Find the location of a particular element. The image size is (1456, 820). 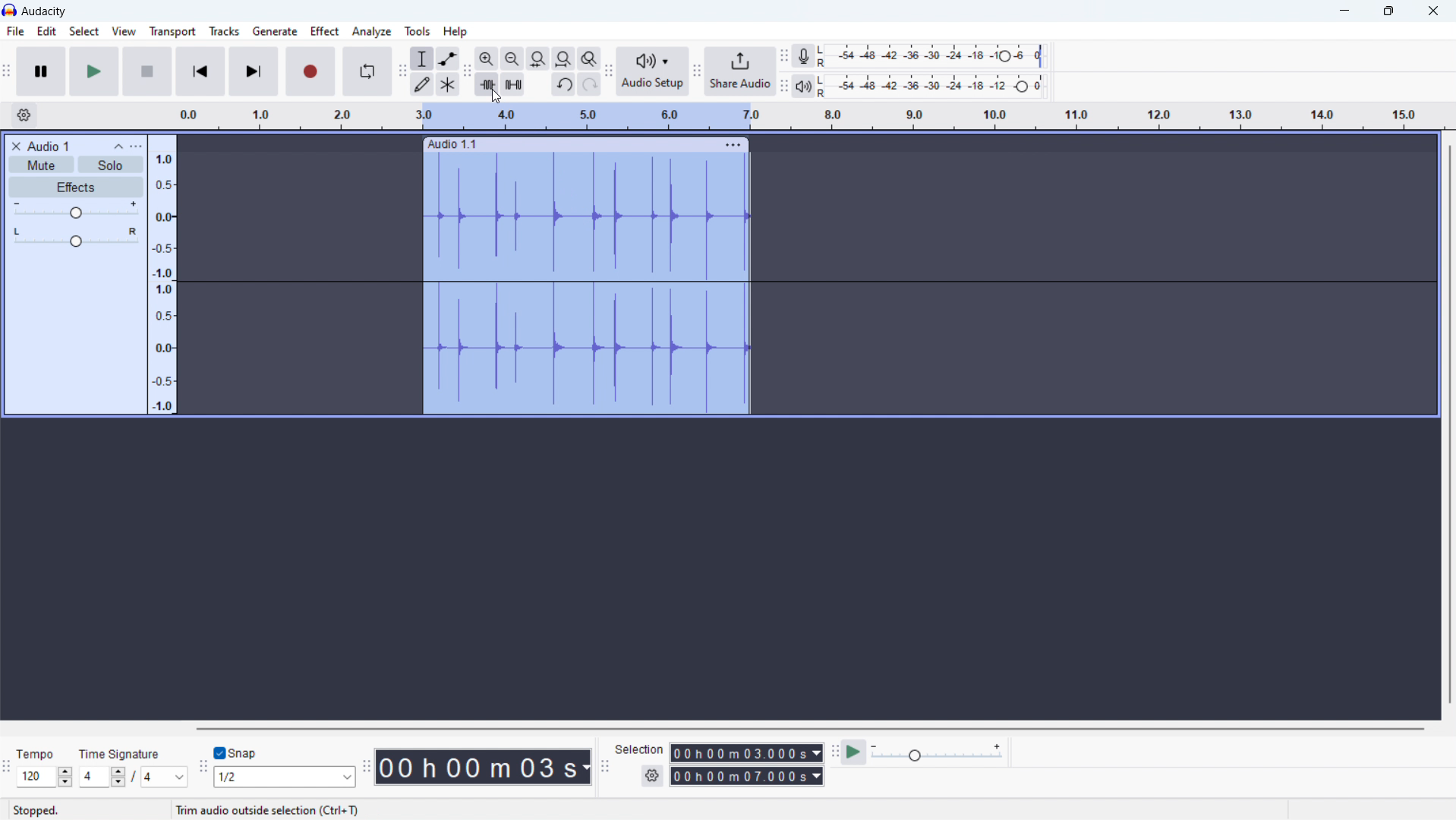

toggle snap is located at coordinates (235, 752).